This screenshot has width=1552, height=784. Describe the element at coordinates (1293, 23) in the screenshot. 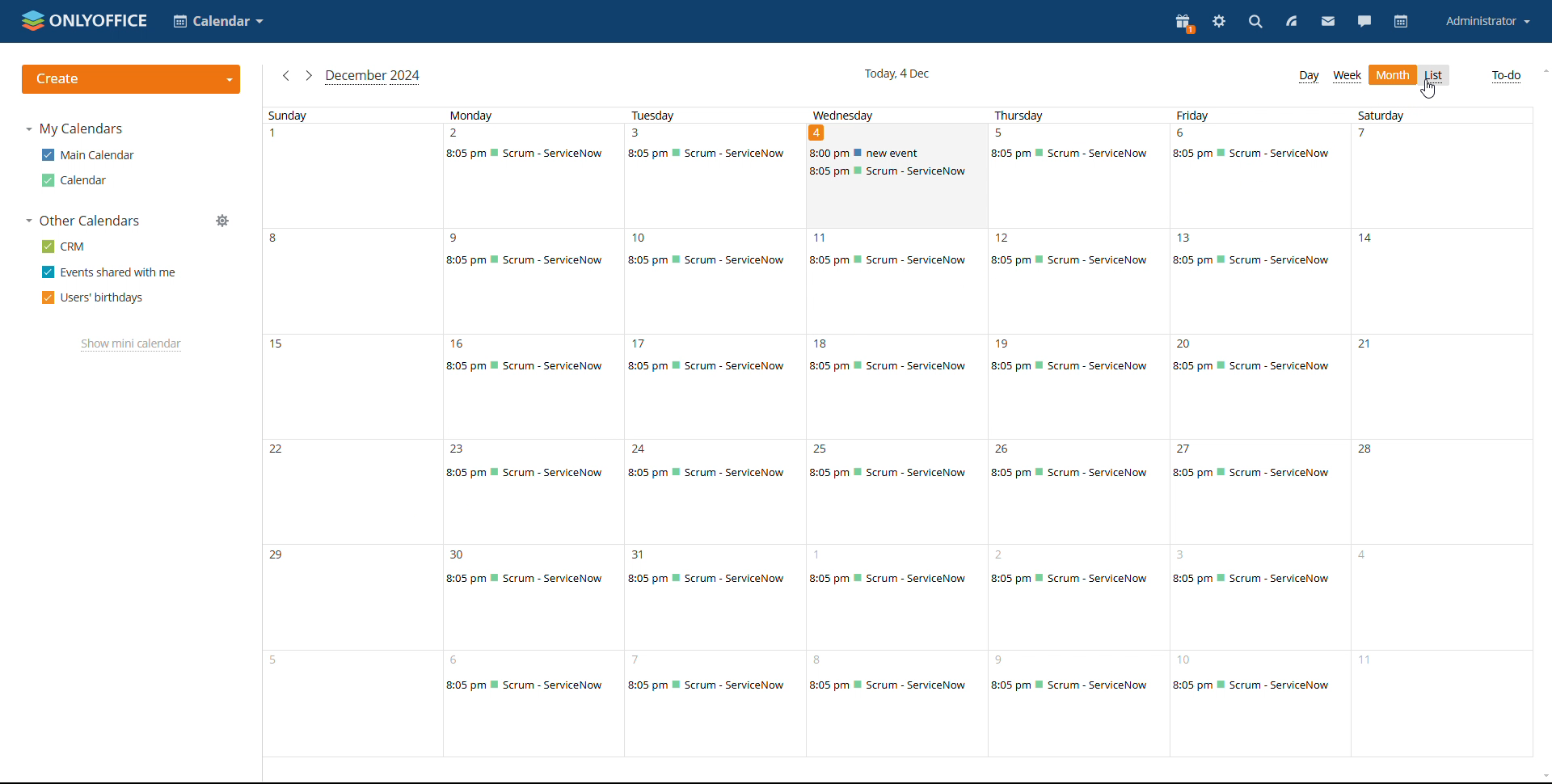

I see `feed` at that location.